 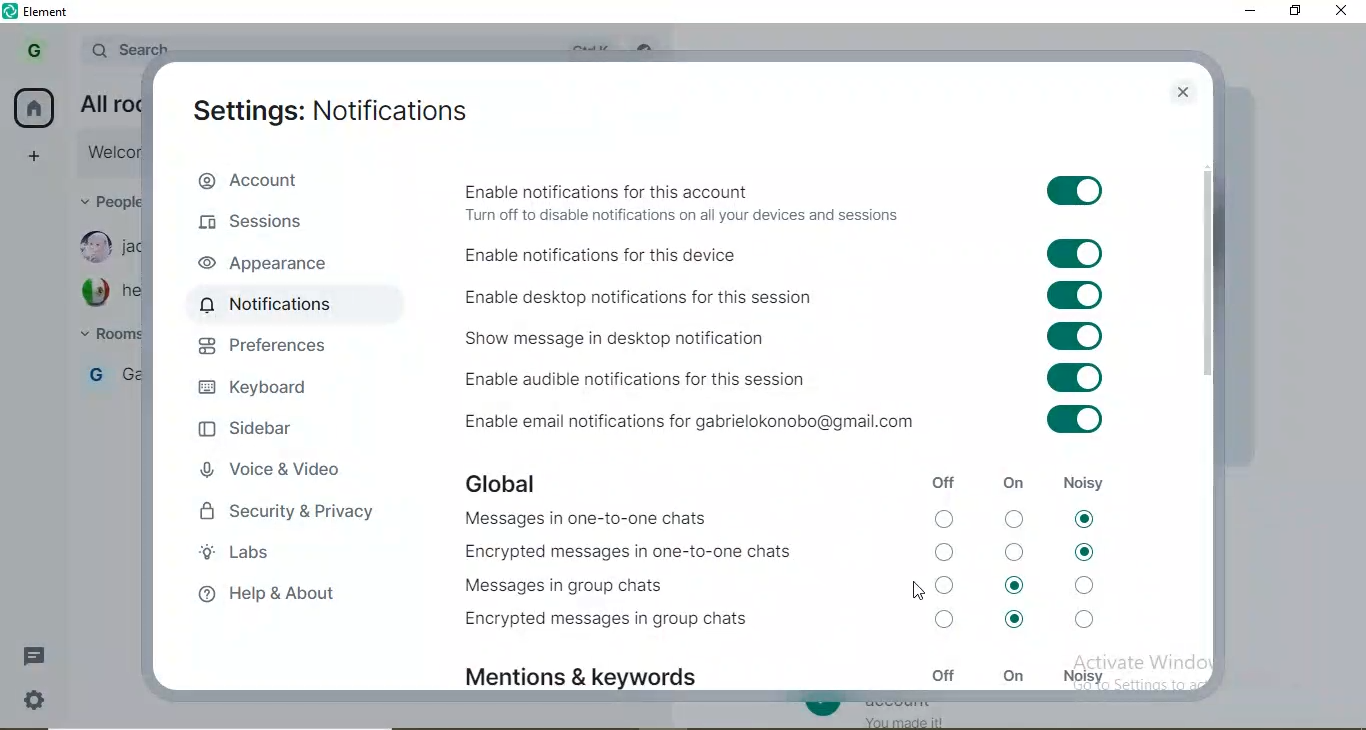 What do you see at coordinates (1084, 550) in the screenshot?
I see `noisy switch` at bounding box center [1084, 550].